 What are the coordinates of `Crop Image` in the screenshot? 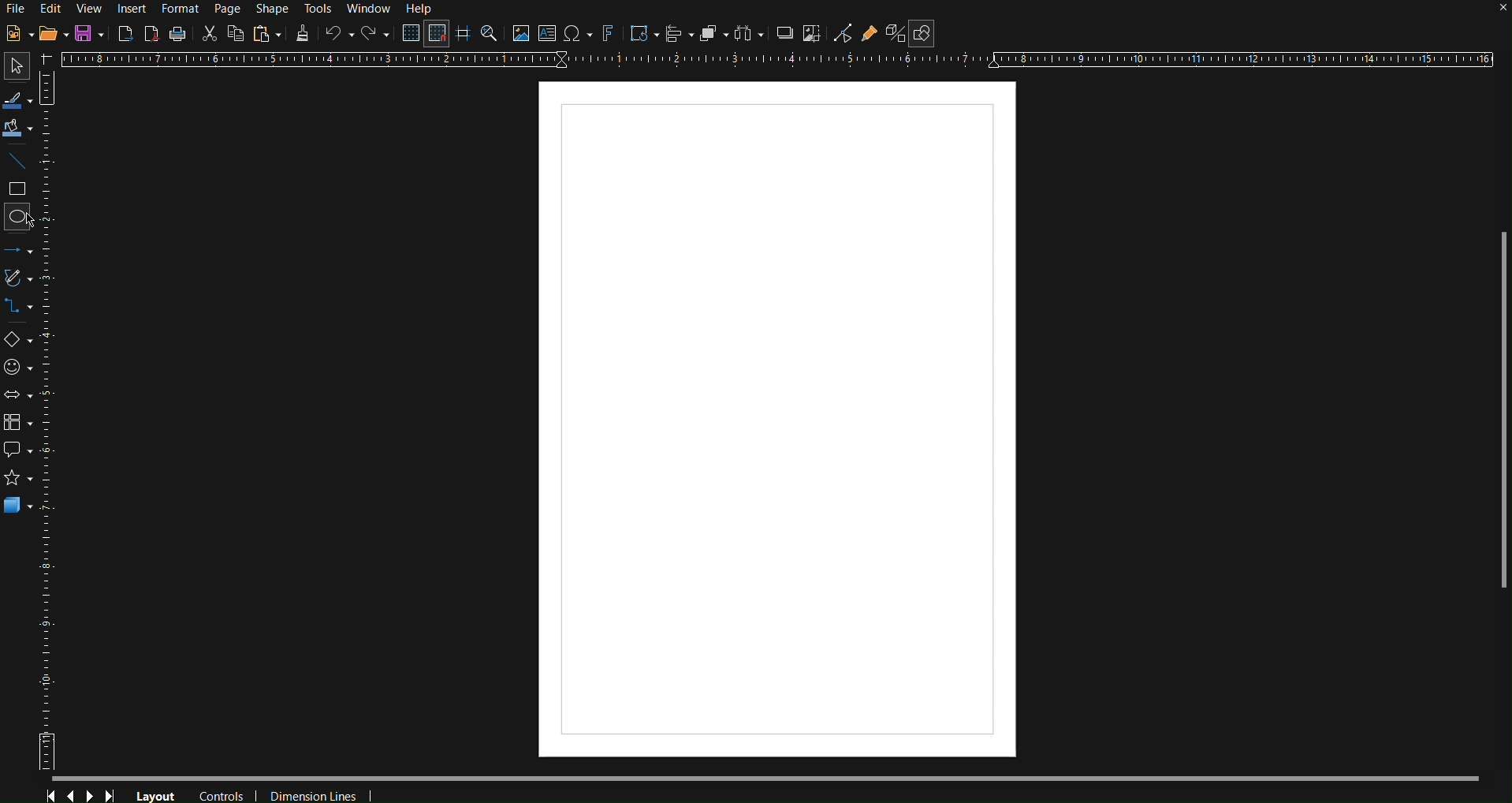 It's located at (811, 35).